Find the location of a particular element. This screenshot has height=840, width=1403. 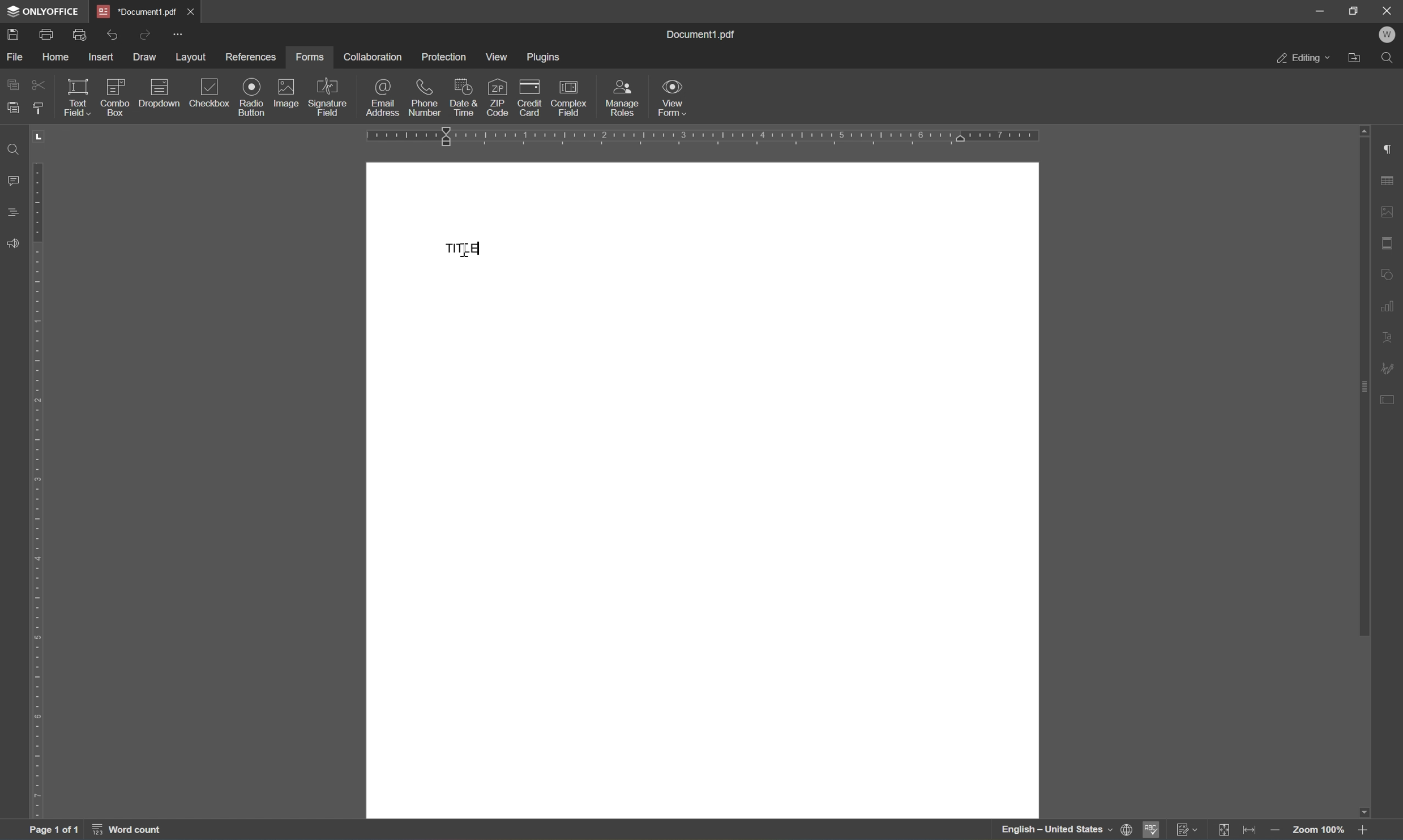

signature field is located at coordinates (329, 96).